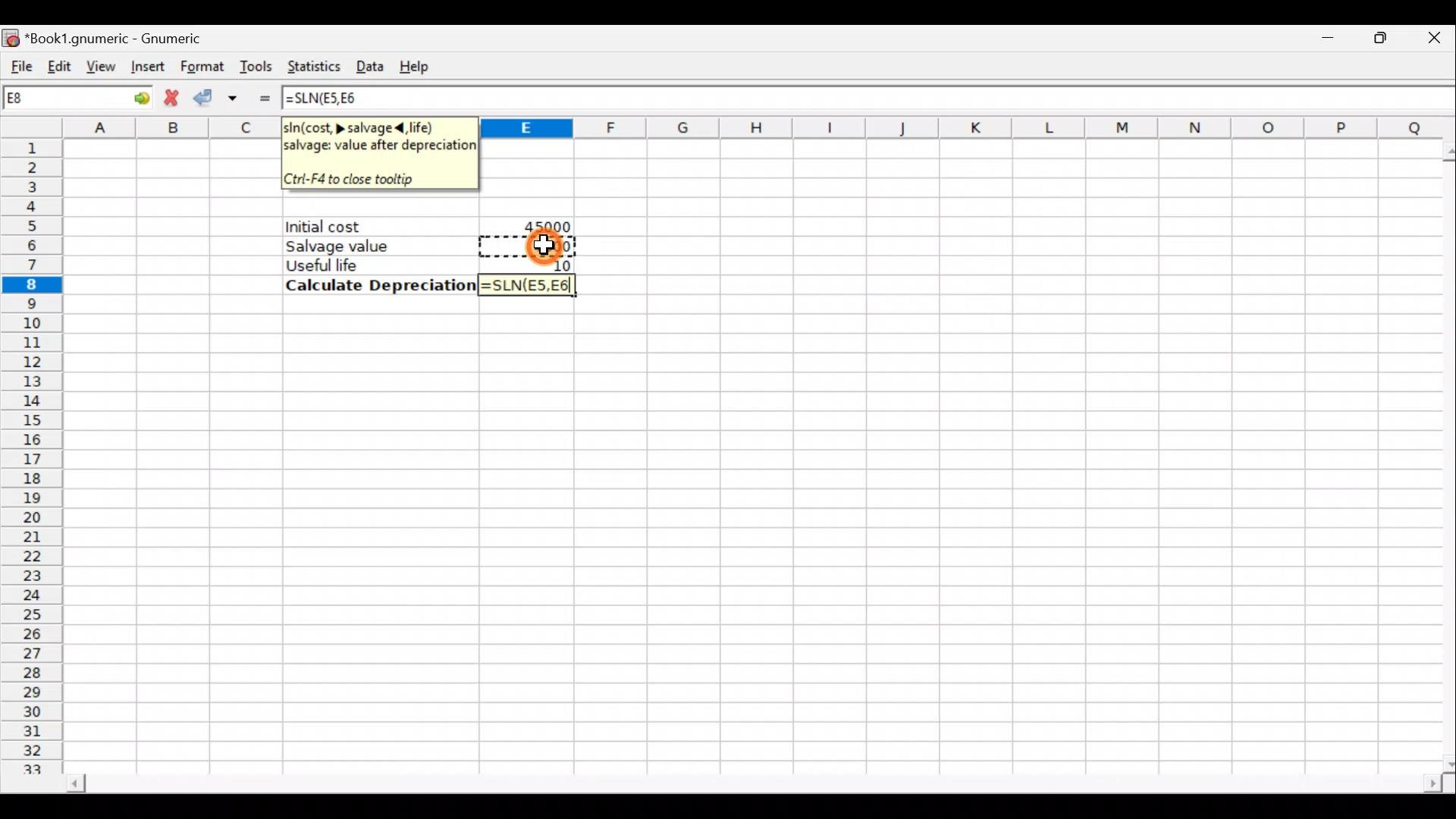 This screenshot has height=819, width=1456. Describe the element at coordinates (543, 224) in the screenshot. I see `45000` at that location.